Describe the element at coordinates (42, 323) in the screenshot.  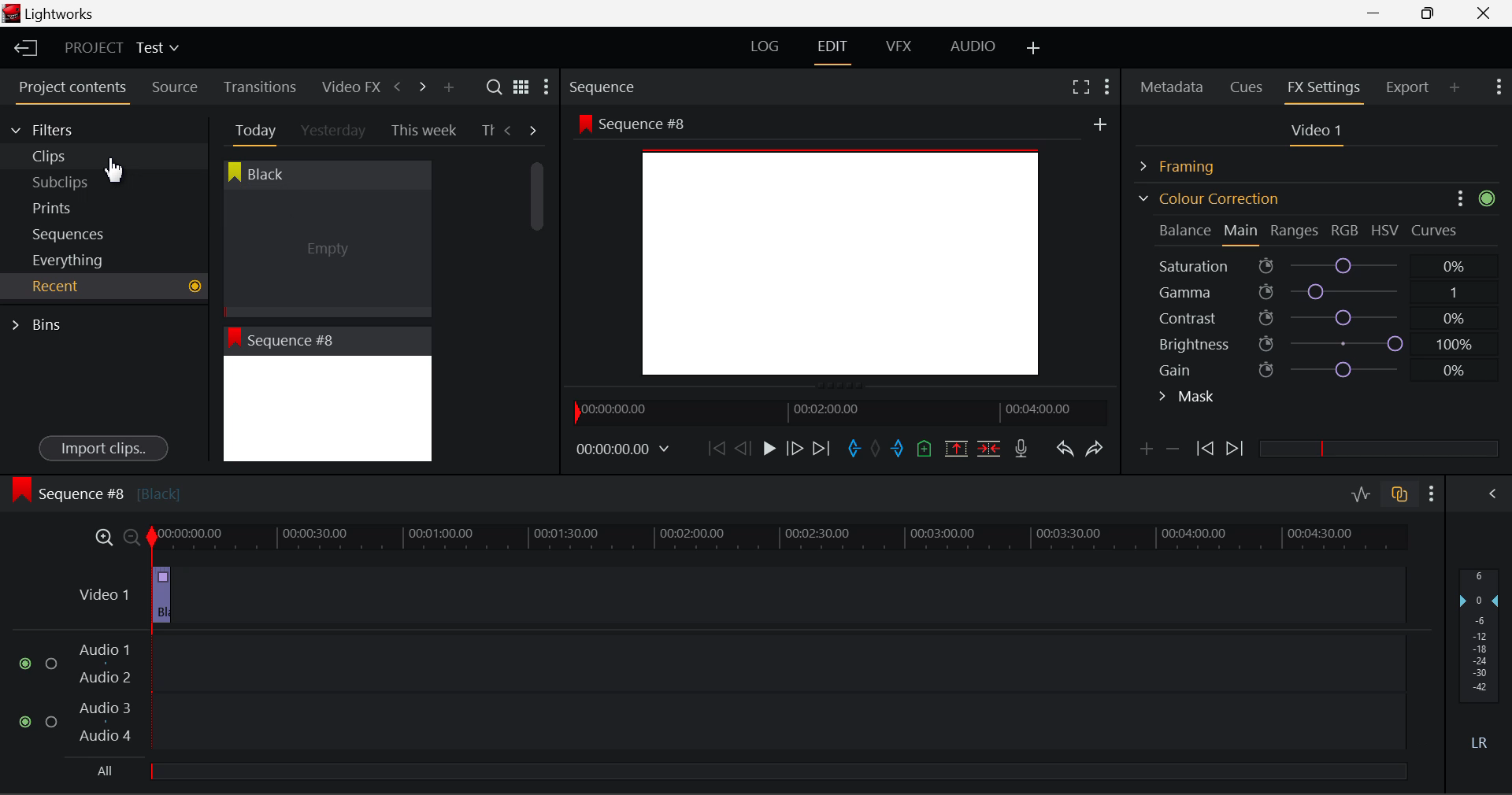
I see `Bins` at that location.